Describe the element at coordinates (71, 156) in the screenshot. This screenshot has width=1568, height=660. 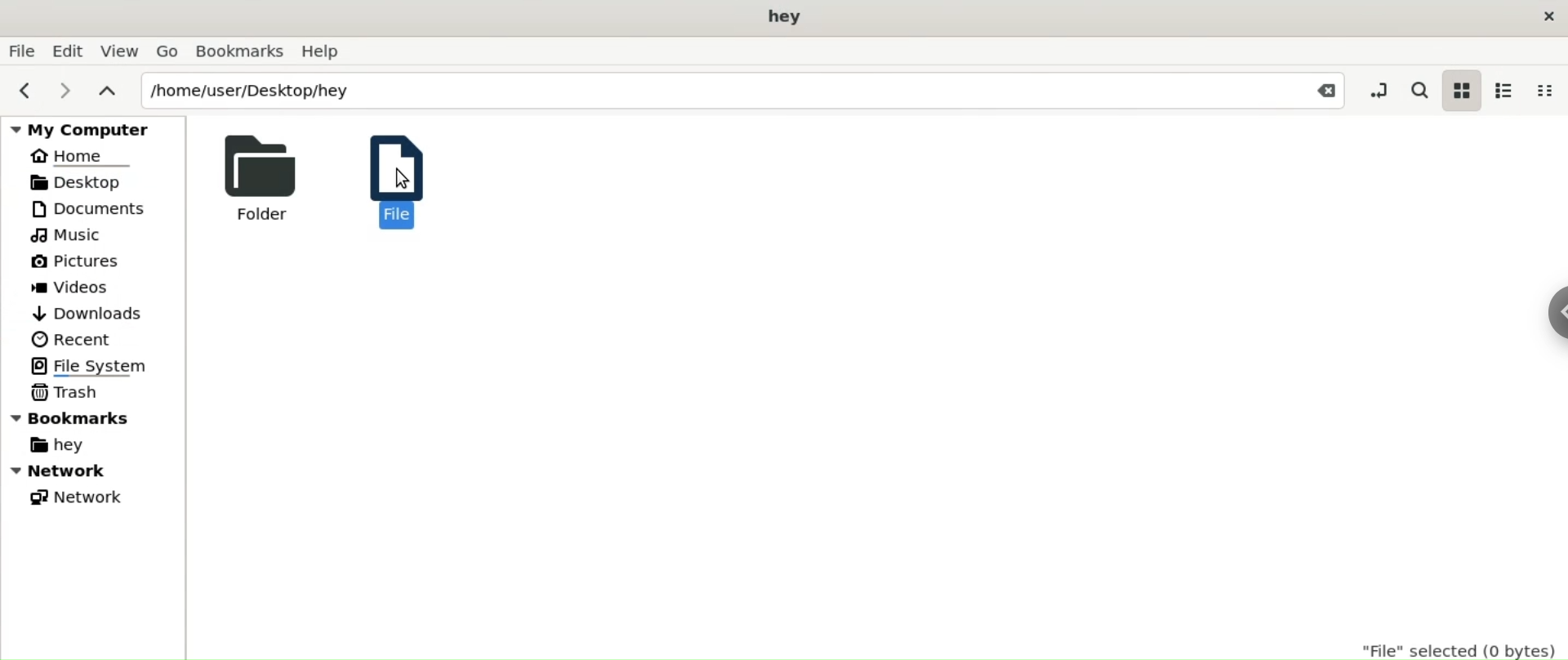
I see `Home ` at that location.